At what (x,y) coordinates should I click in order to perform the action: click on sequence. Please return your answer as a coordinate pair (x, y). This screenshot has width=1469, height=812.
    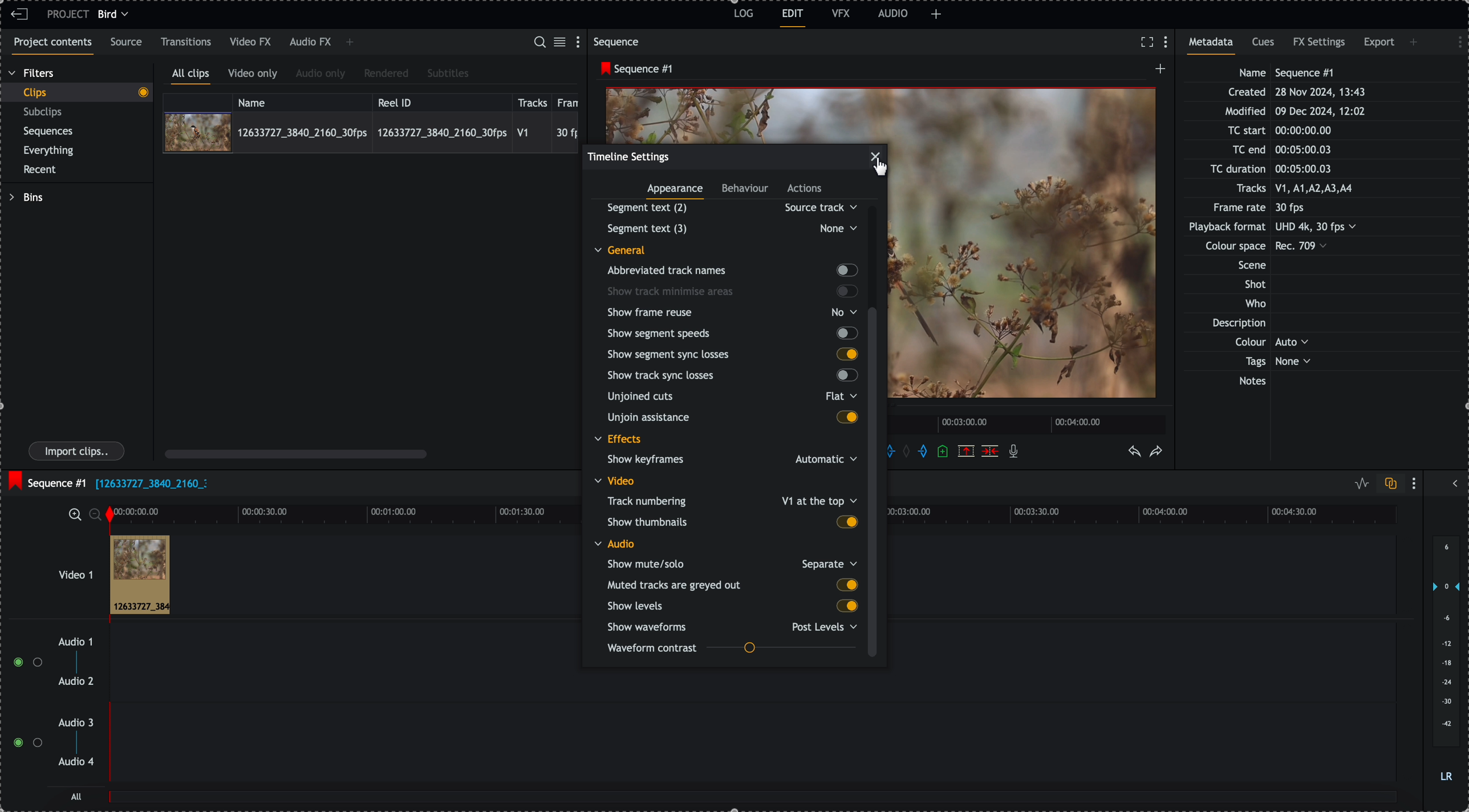
    Looking at the image, I should click on (619, 42).